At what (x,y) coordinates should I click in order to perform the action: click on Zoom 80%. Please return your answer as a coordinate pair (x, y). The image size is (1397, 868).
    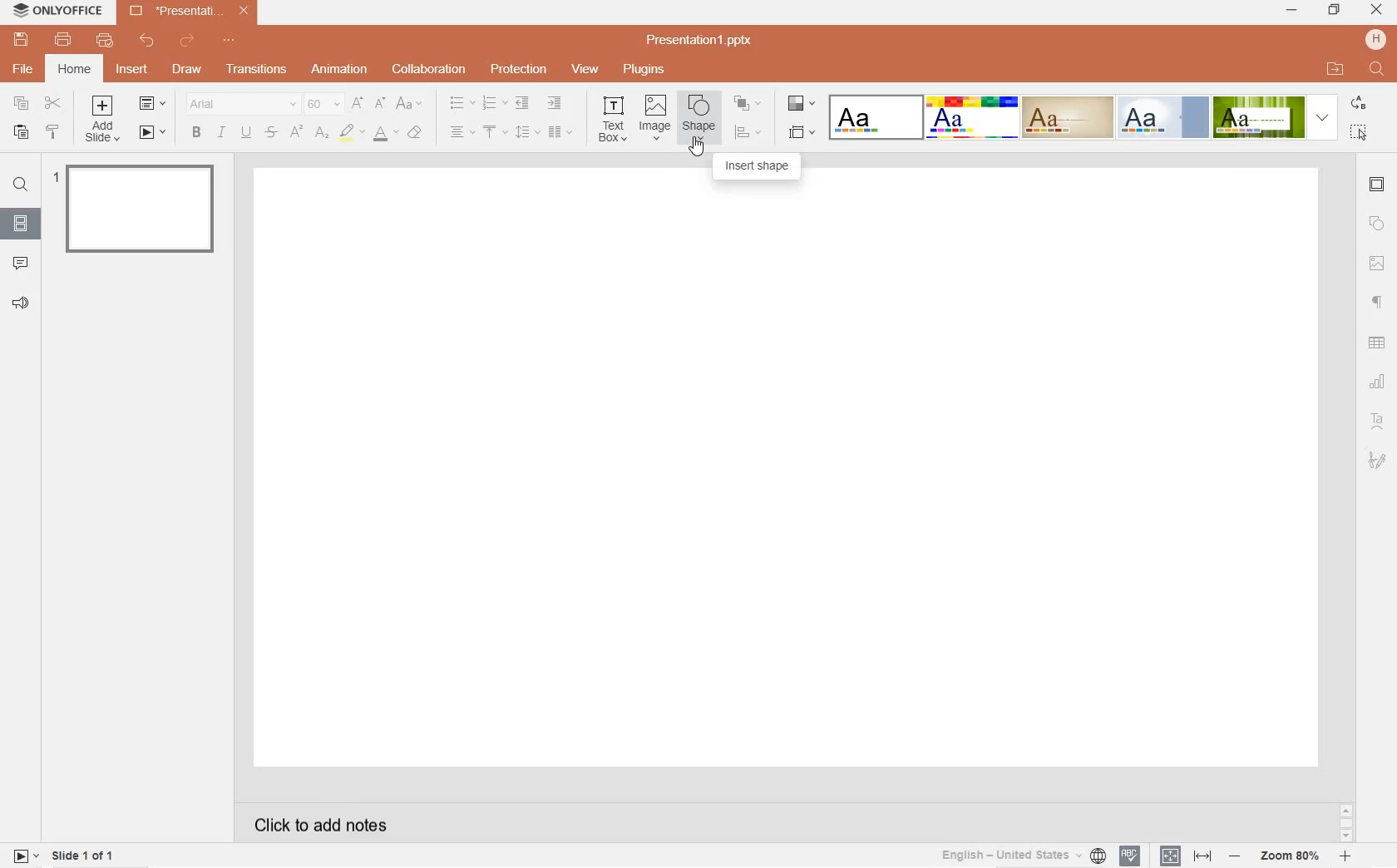
    Looking at the image, I should click on (1291, 857).